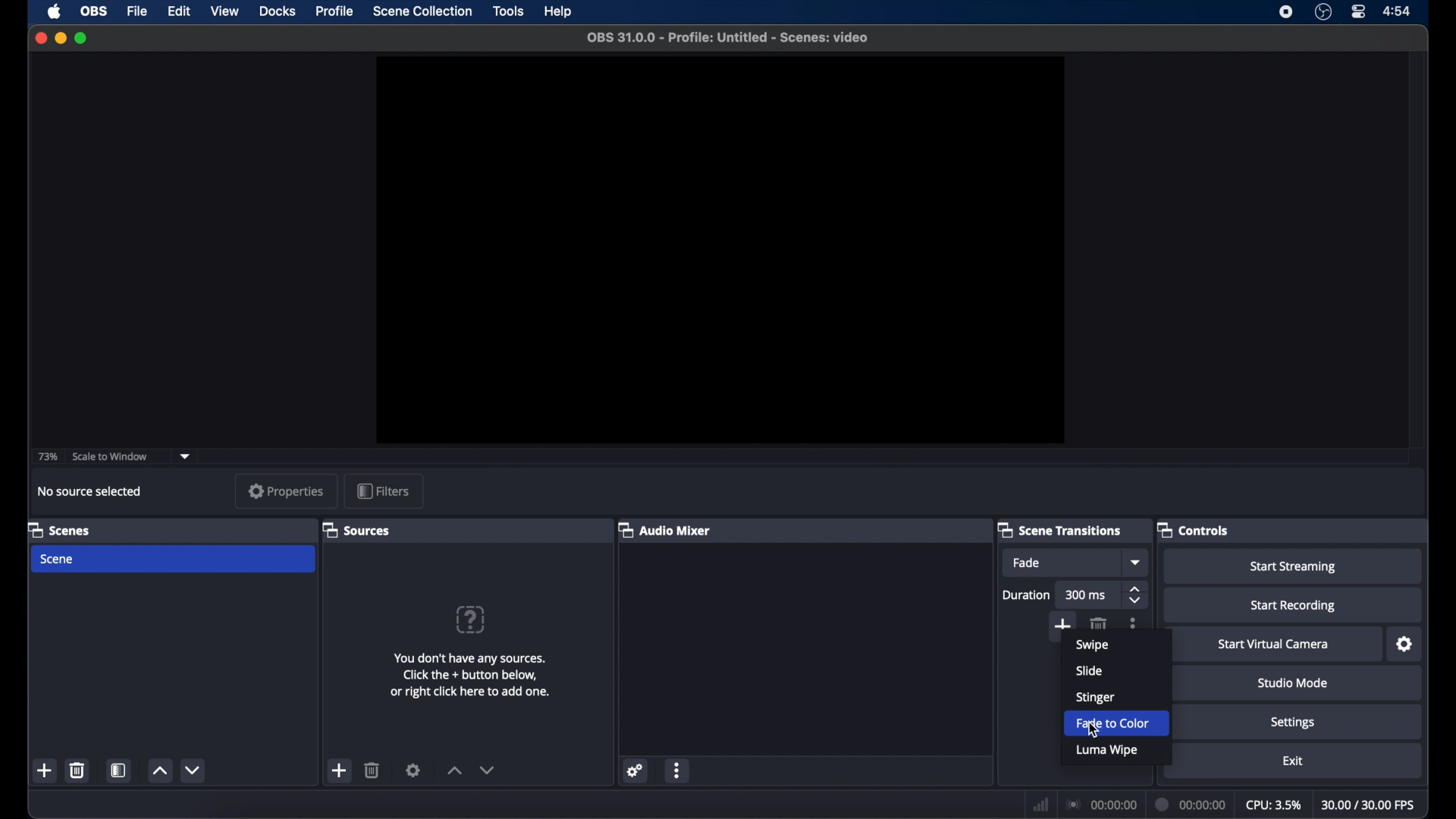 This screenshot has width=1456, height=819. Describe the element at coordinates (1137, 562) in the screenshot. I see `dropdown` at that location.